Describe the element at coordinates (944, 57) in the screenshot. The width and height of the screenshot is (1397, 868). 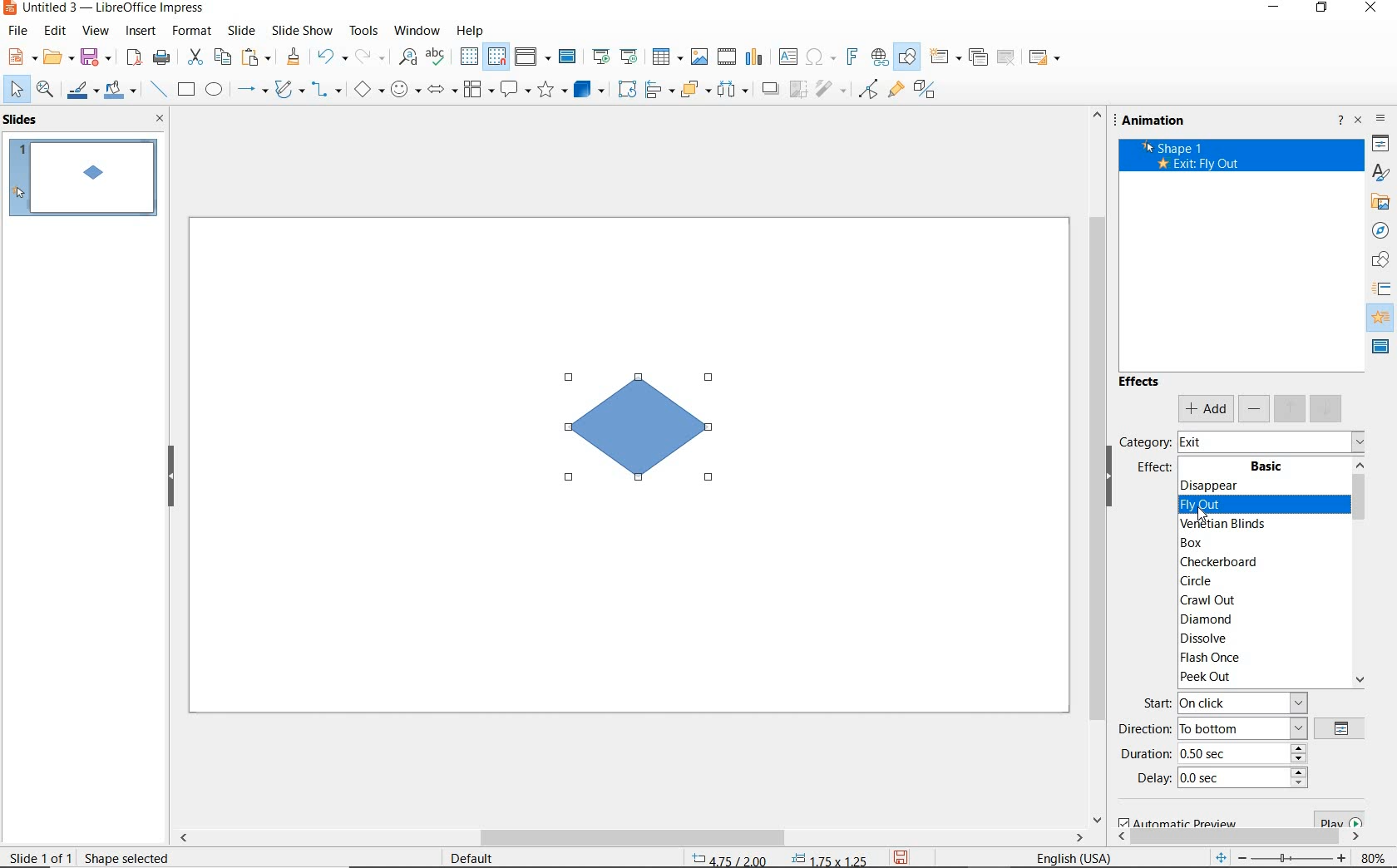
I see `new slide` at that location.